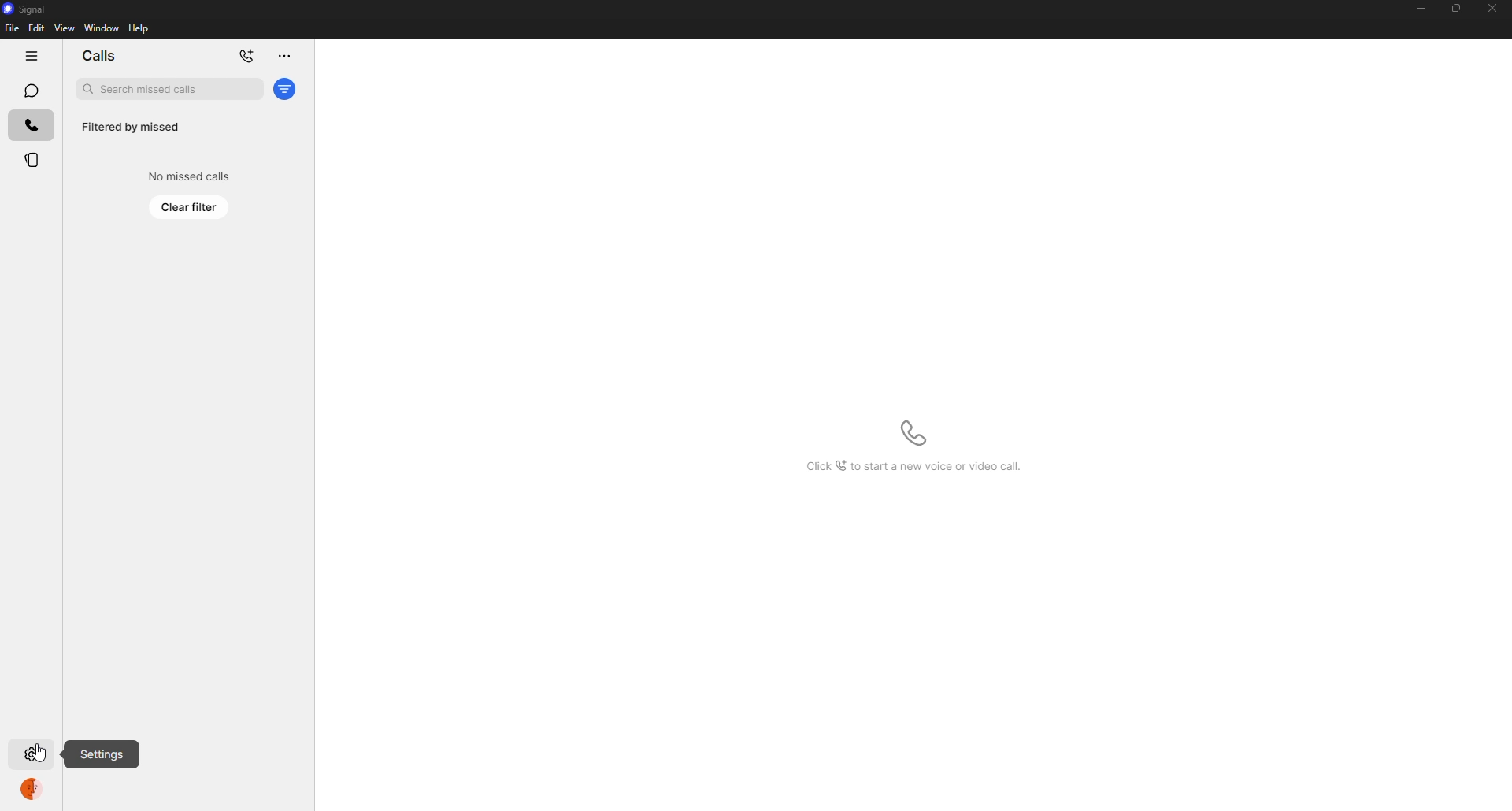 The image size is (1512, 811). What do you see at coordinates (31, 789) in the screenshot?
I see `profile` at bounding box center [31, 789].